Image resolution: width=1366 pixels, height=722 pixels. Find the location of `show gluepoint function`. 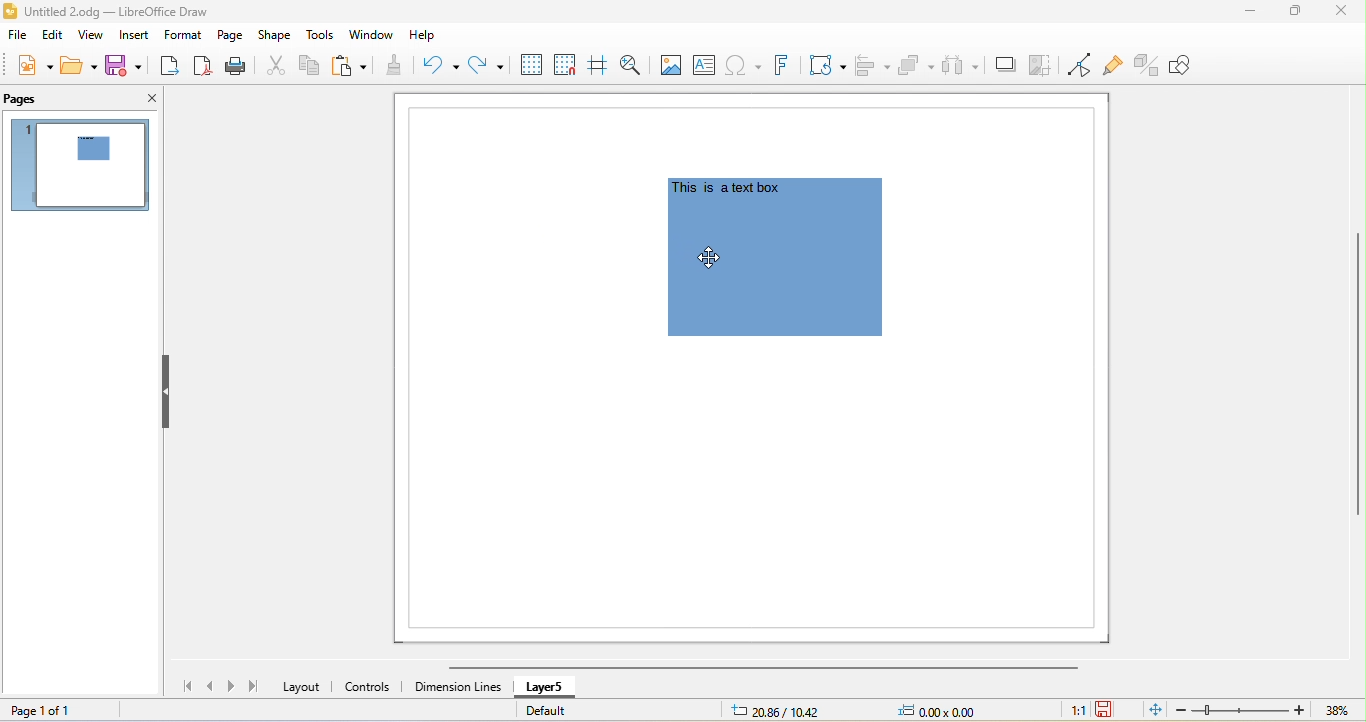

show gluepoint function is located at coordinates (1112, 66).